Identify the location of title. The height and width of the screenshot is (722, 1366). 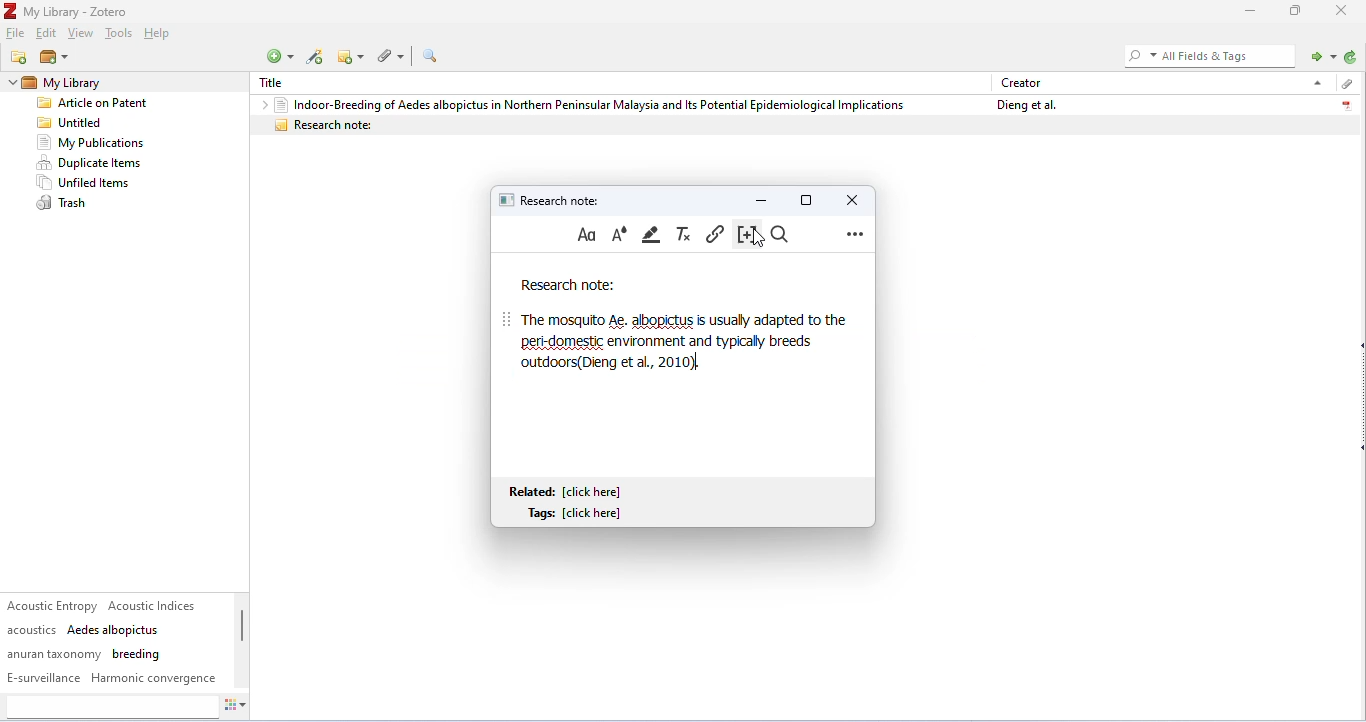
(277, 83).